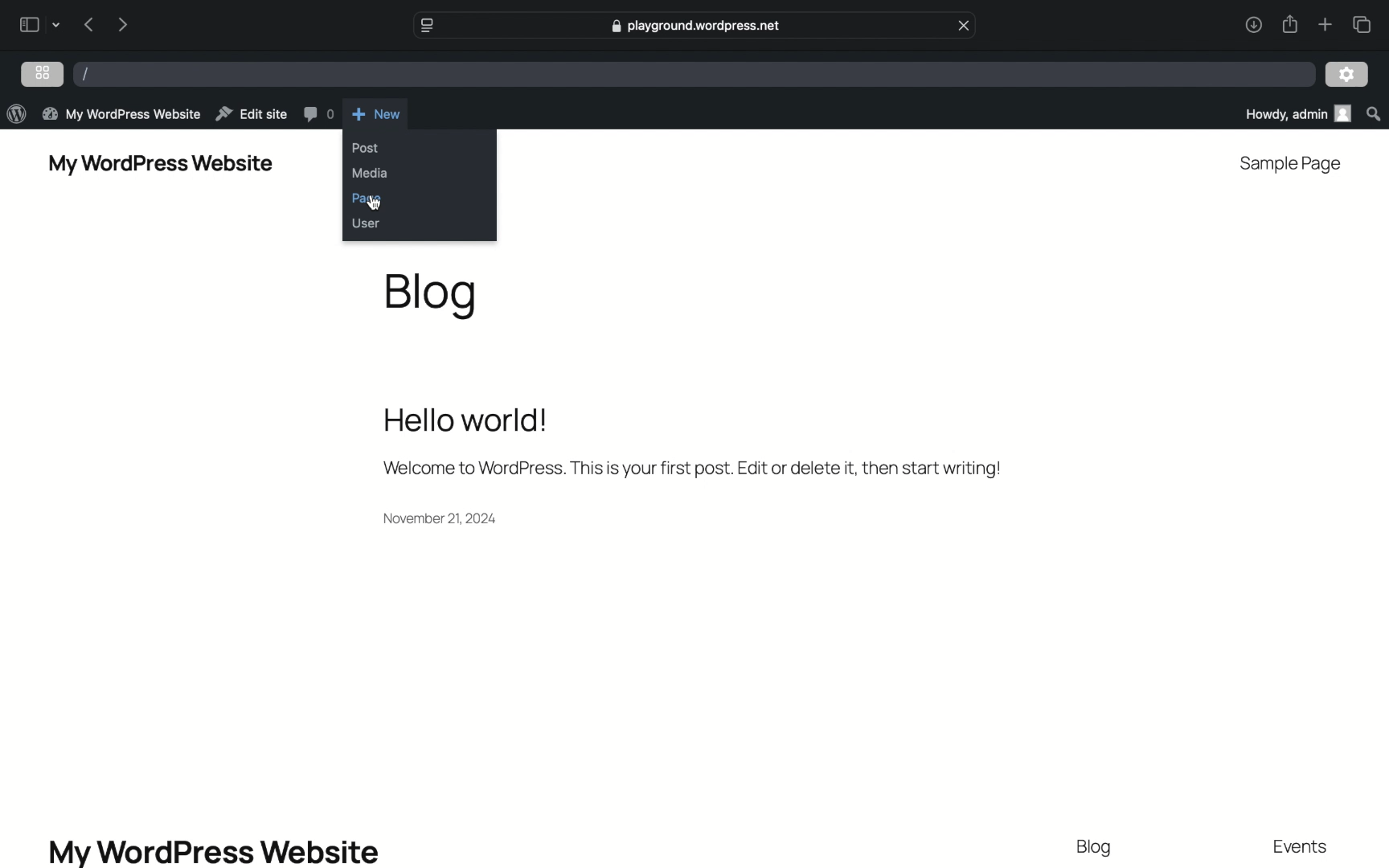  Describe the element at coordinates (371, 173) in the screenshot. I see `media` at that location.